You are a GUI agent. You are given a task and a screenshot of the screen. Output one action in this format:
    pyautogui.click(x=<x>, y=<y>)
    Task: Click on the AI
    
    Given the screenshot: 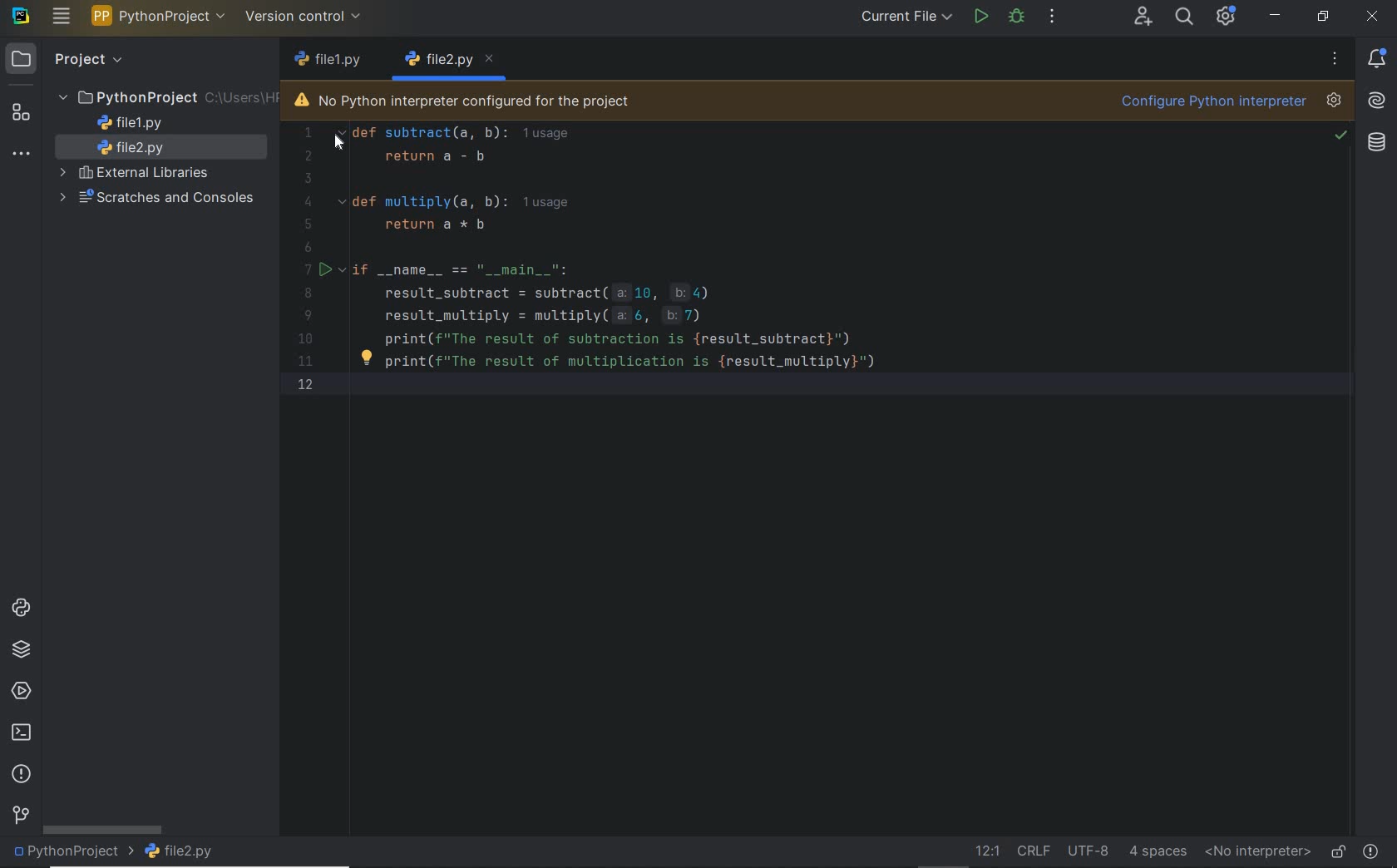 What is the action you would take?
    pyautogui.click(x=1377, y=102)
    